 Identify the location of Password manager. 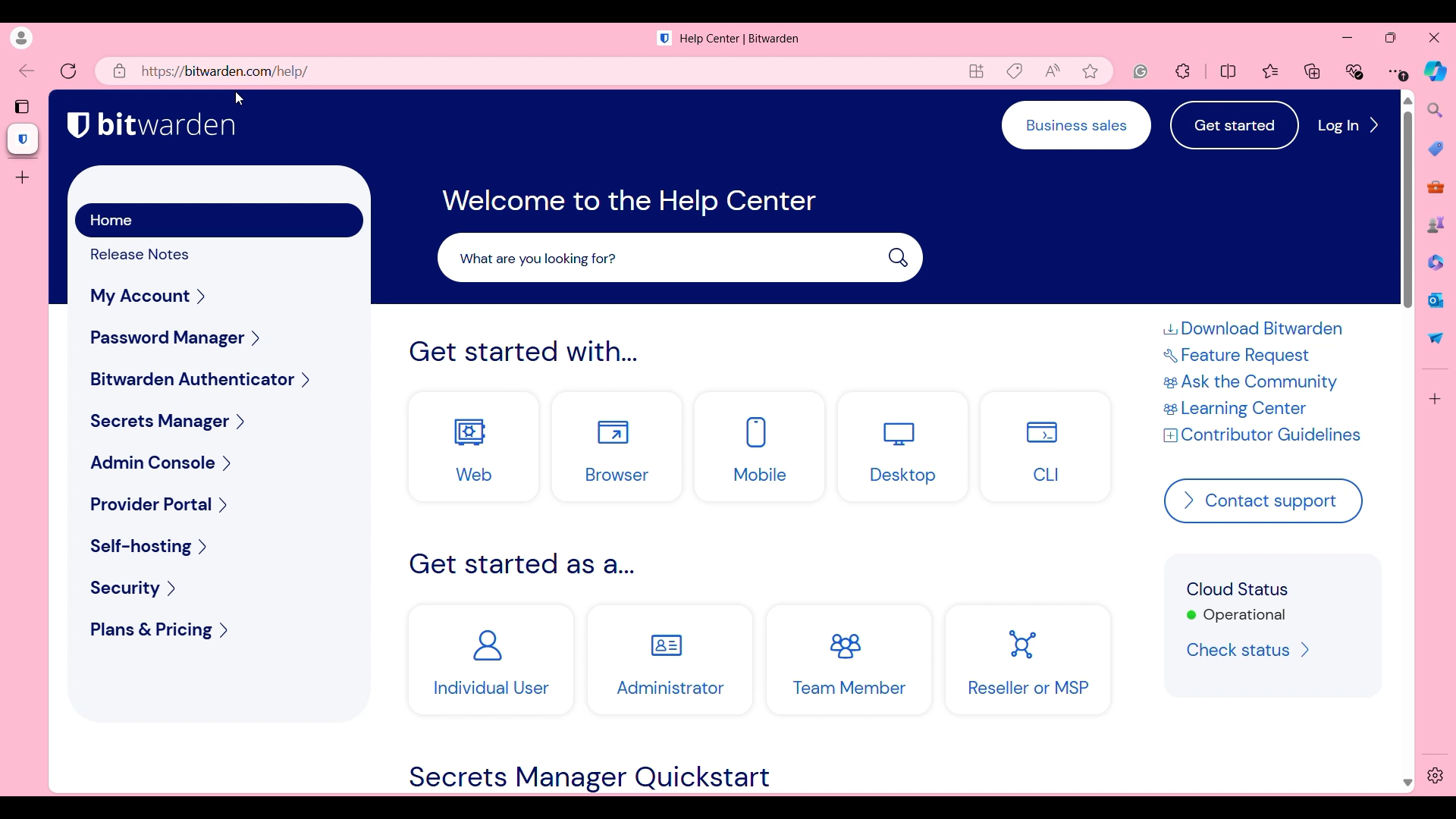
(220, 338).